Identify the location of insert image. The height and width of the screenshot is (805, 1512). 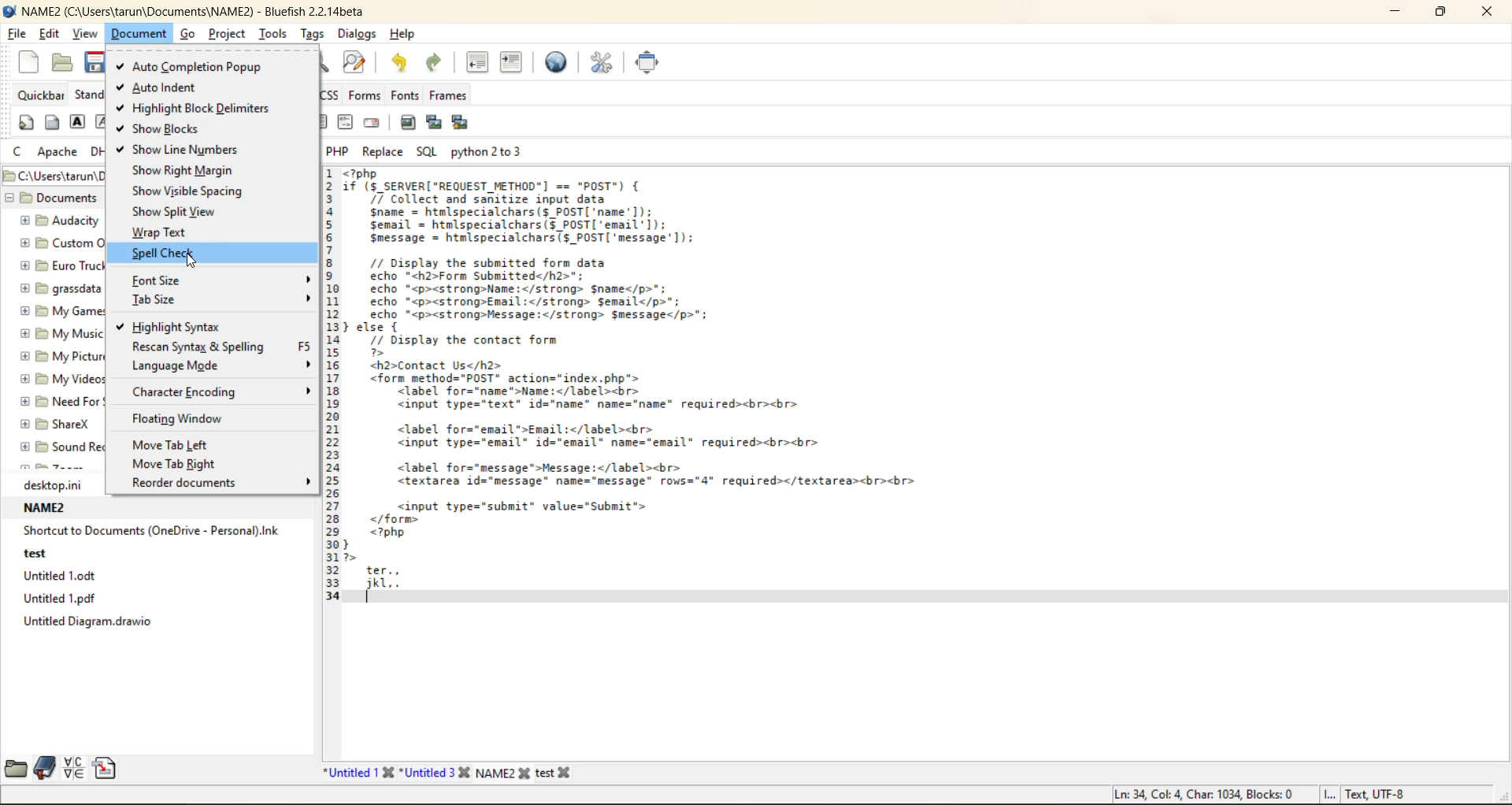
(407, 123).